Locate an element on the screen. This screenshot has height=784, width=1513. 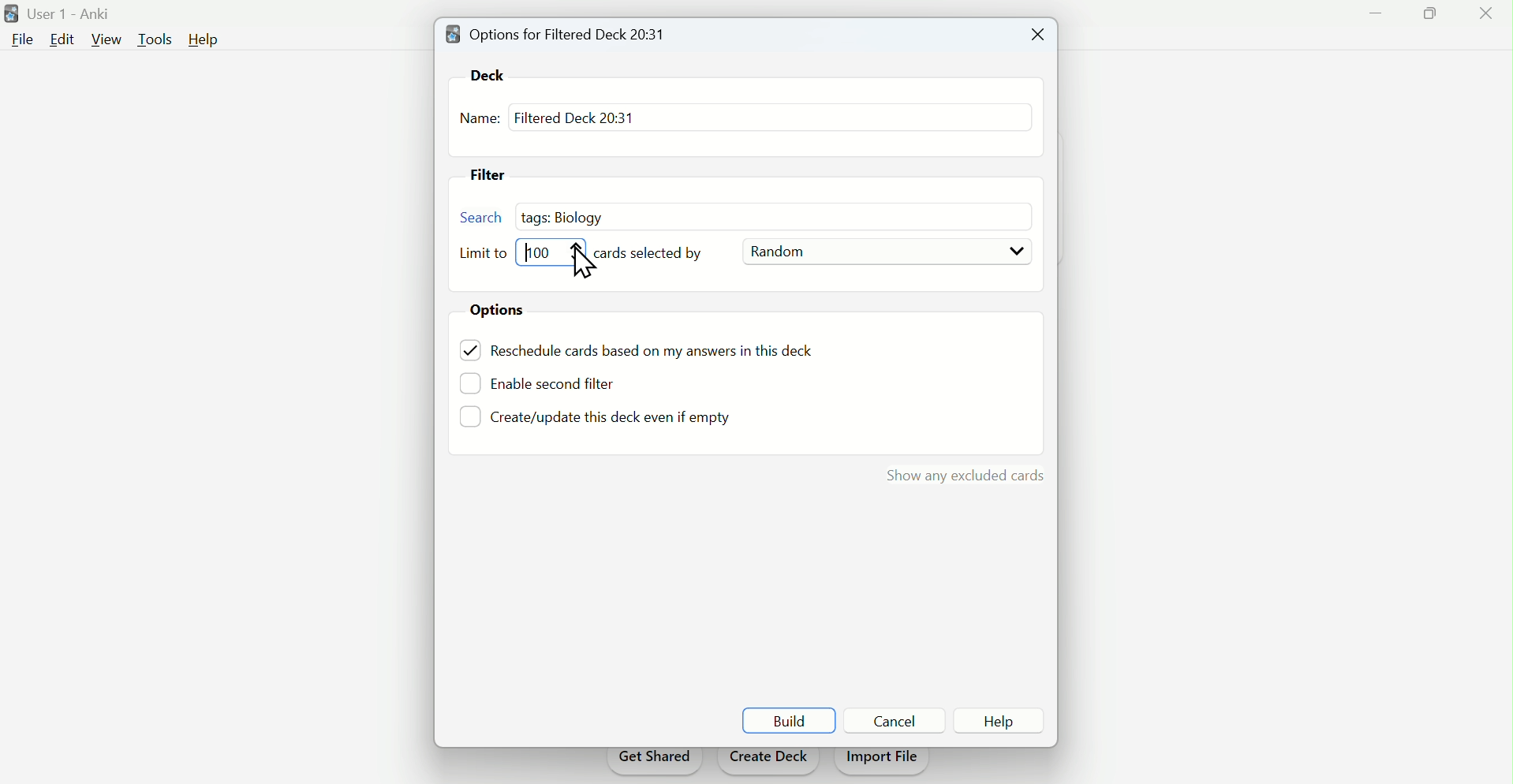
 is located at coordinates (998, 721).